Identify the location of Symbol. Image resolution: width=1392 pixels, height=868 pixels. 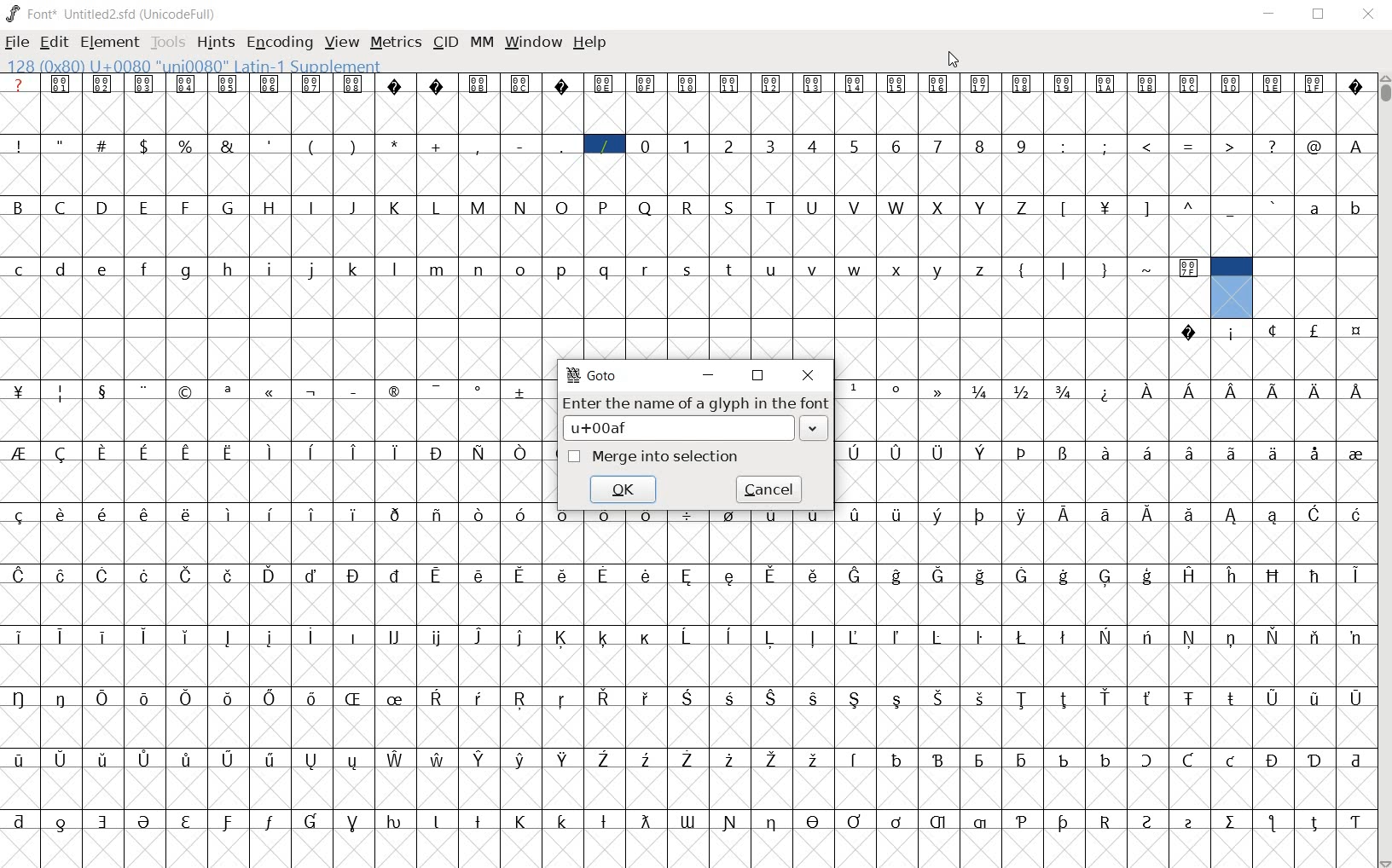
(1064, 512).